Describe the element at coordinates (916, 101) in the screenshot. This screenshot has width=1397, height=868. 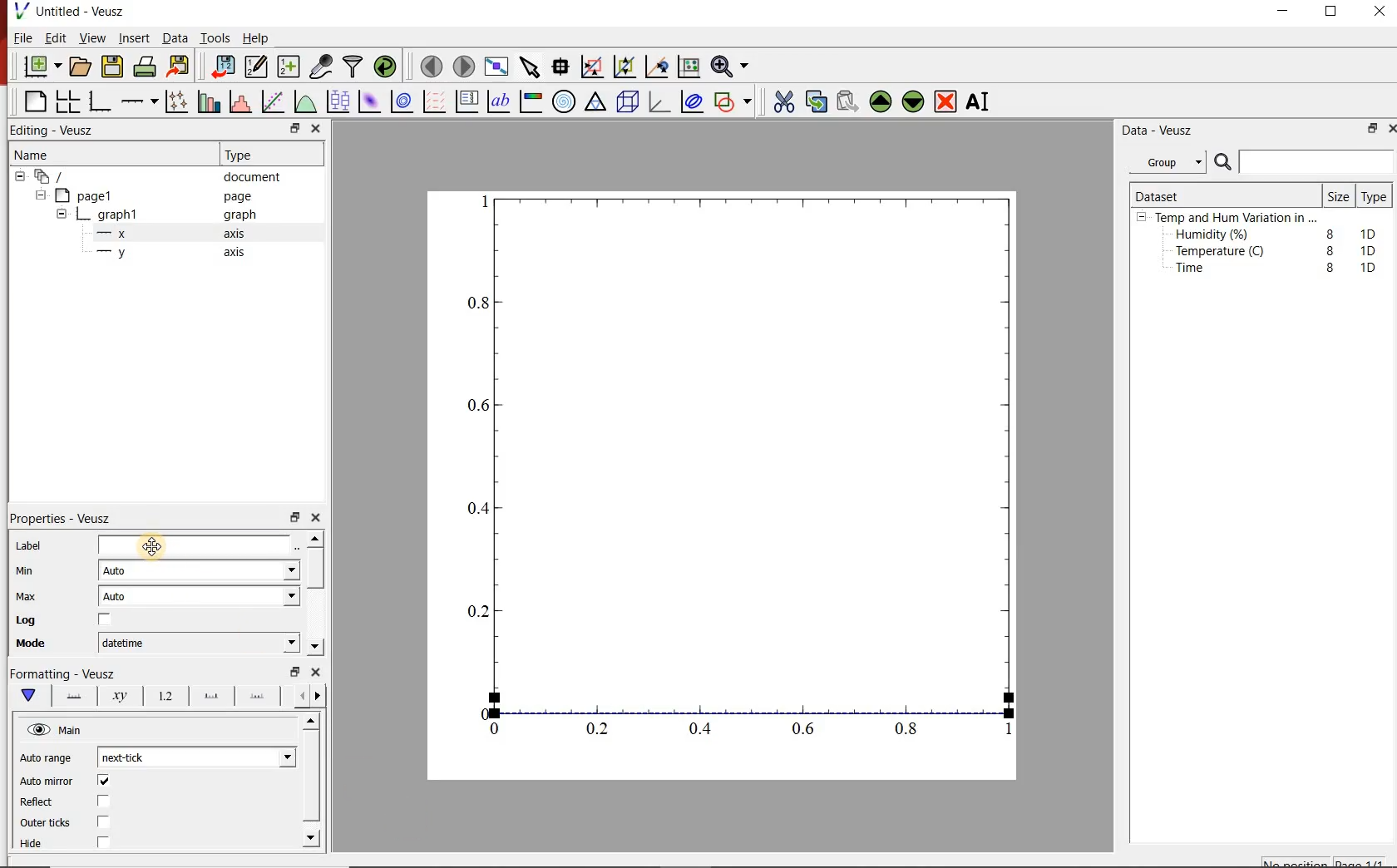
I see `Move the selected widget down` at that location.